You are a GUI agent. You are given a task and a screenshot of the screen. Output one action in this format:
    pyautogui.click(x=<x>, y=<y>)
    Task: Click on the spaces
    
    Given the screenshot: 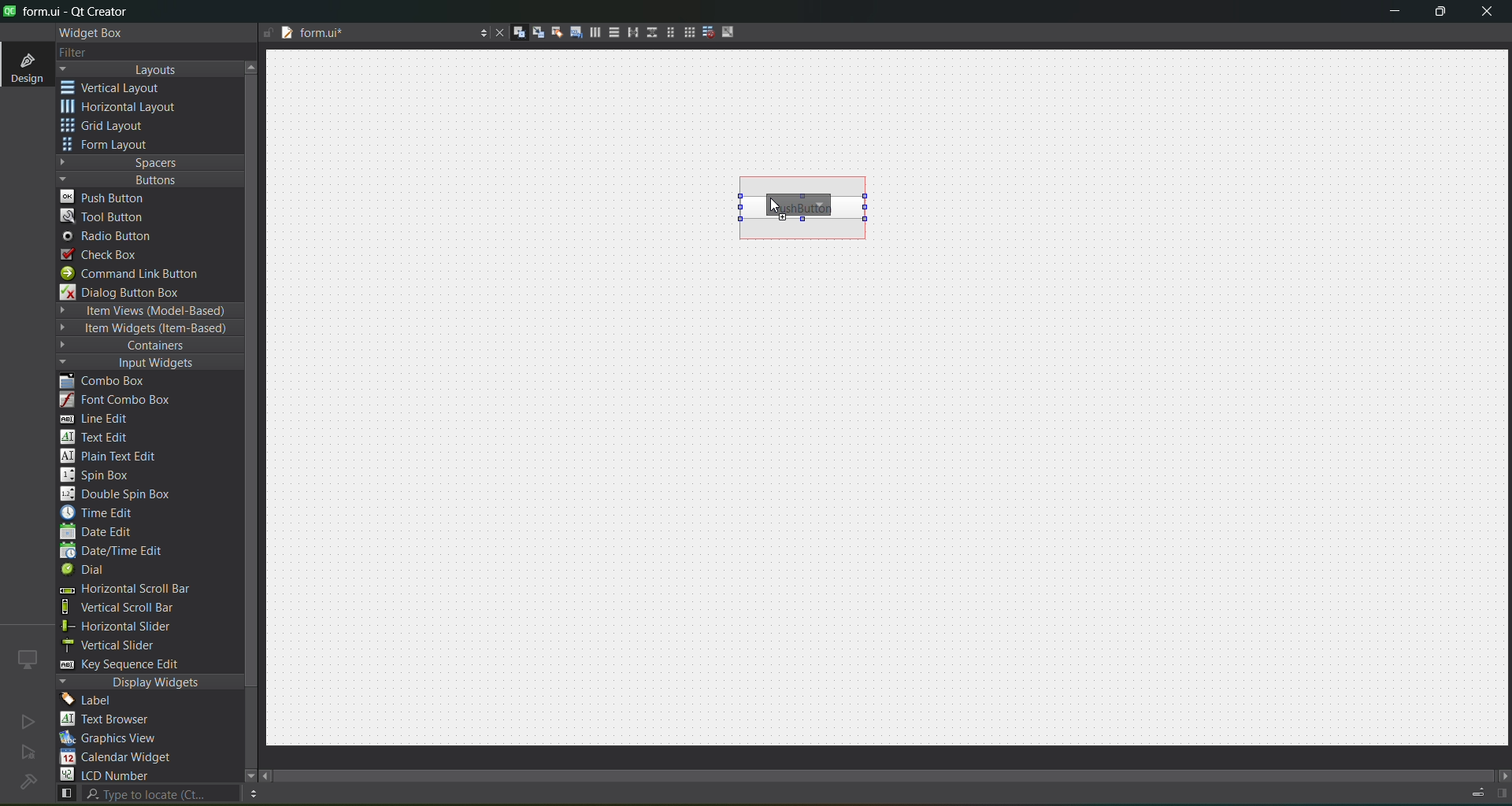 What is the action you would take?
    pyautogui.click(x=150, y=162)
    